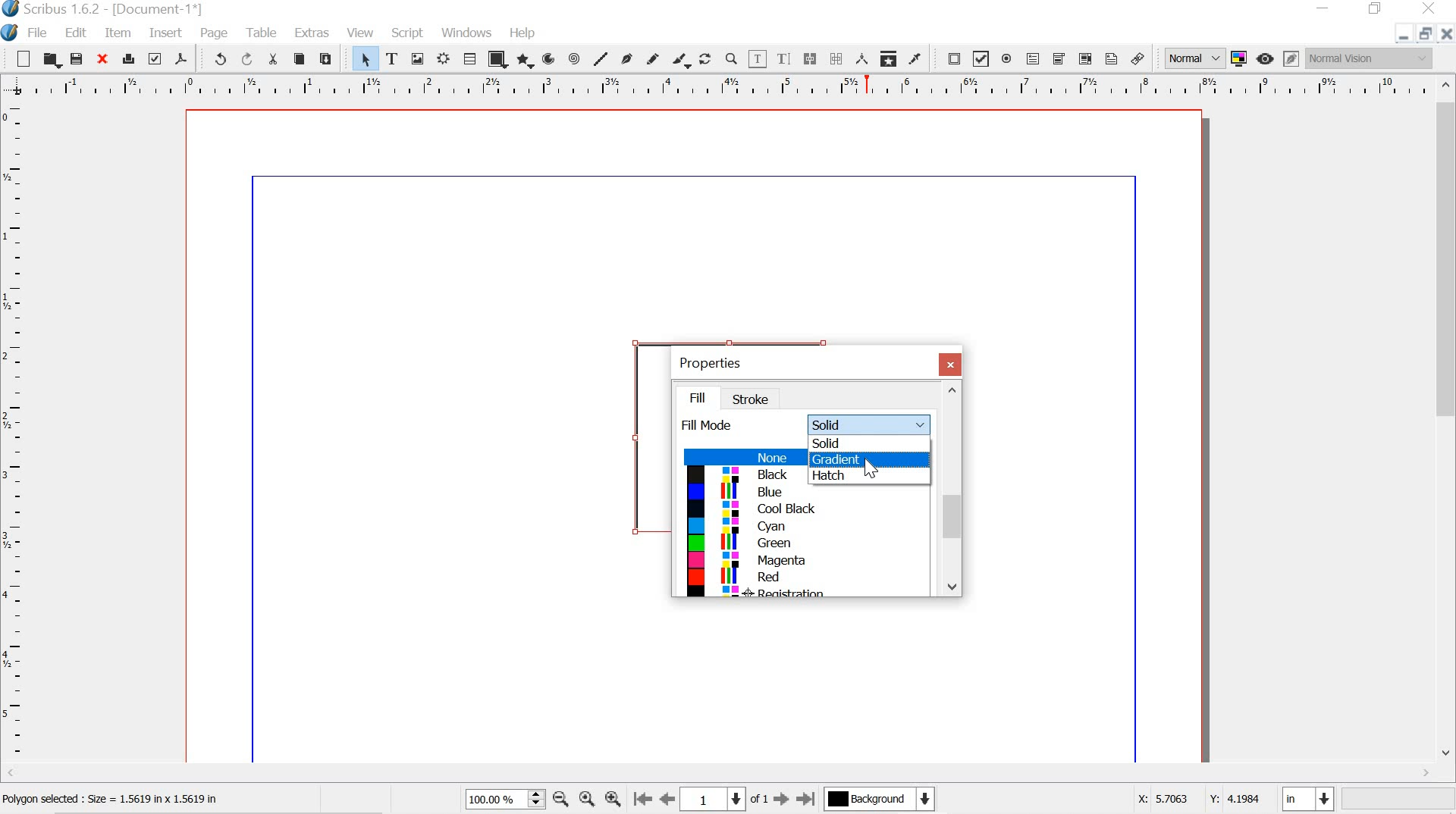  Describe the element at coordinates (588, 800) in the screenshot. I see `zoom to` at that location.